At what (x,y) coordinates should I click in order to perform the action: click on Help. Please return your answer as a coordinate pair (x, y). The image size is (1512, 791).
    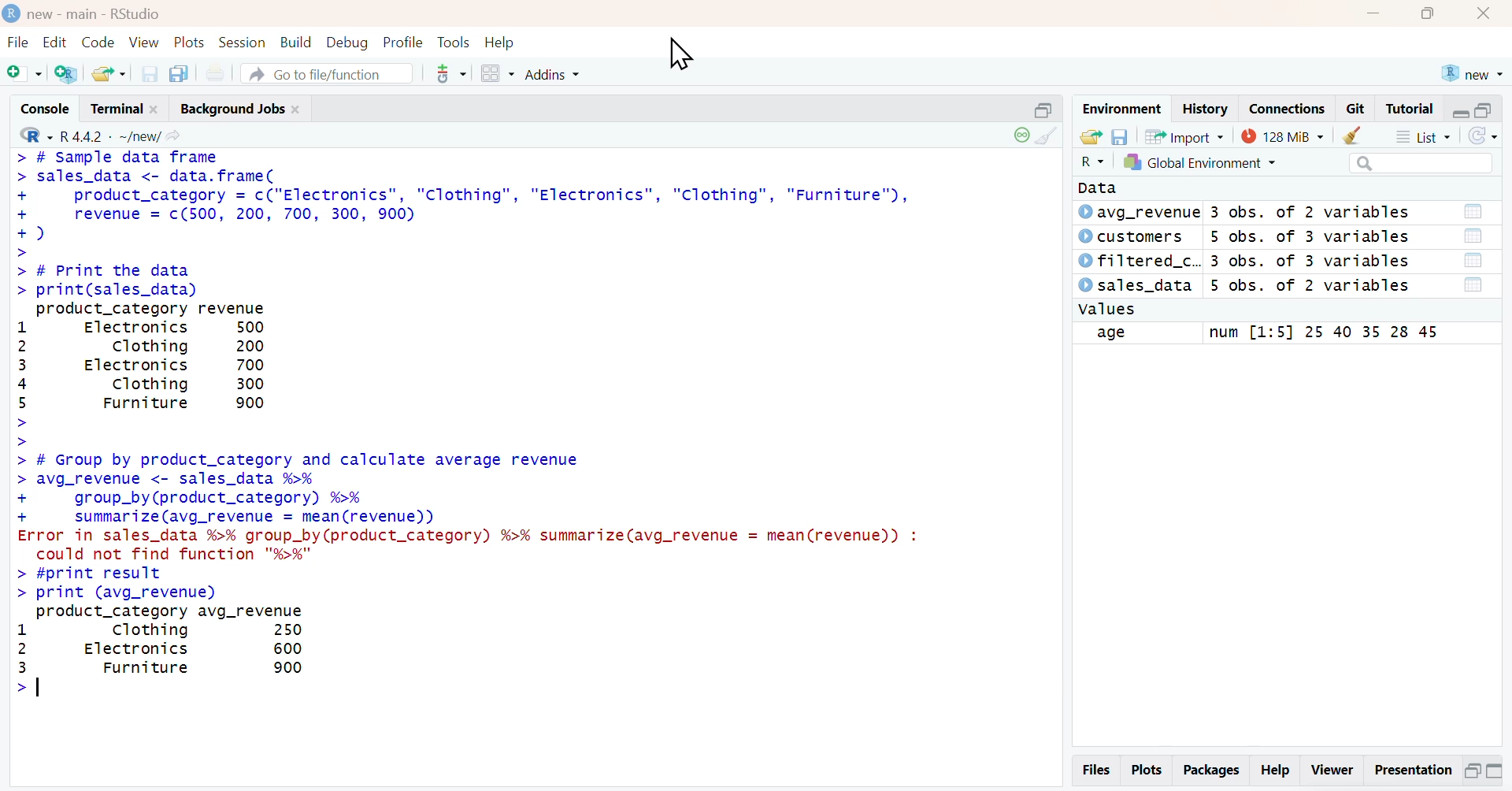
    Looking at the image, I should click on (501, 43).